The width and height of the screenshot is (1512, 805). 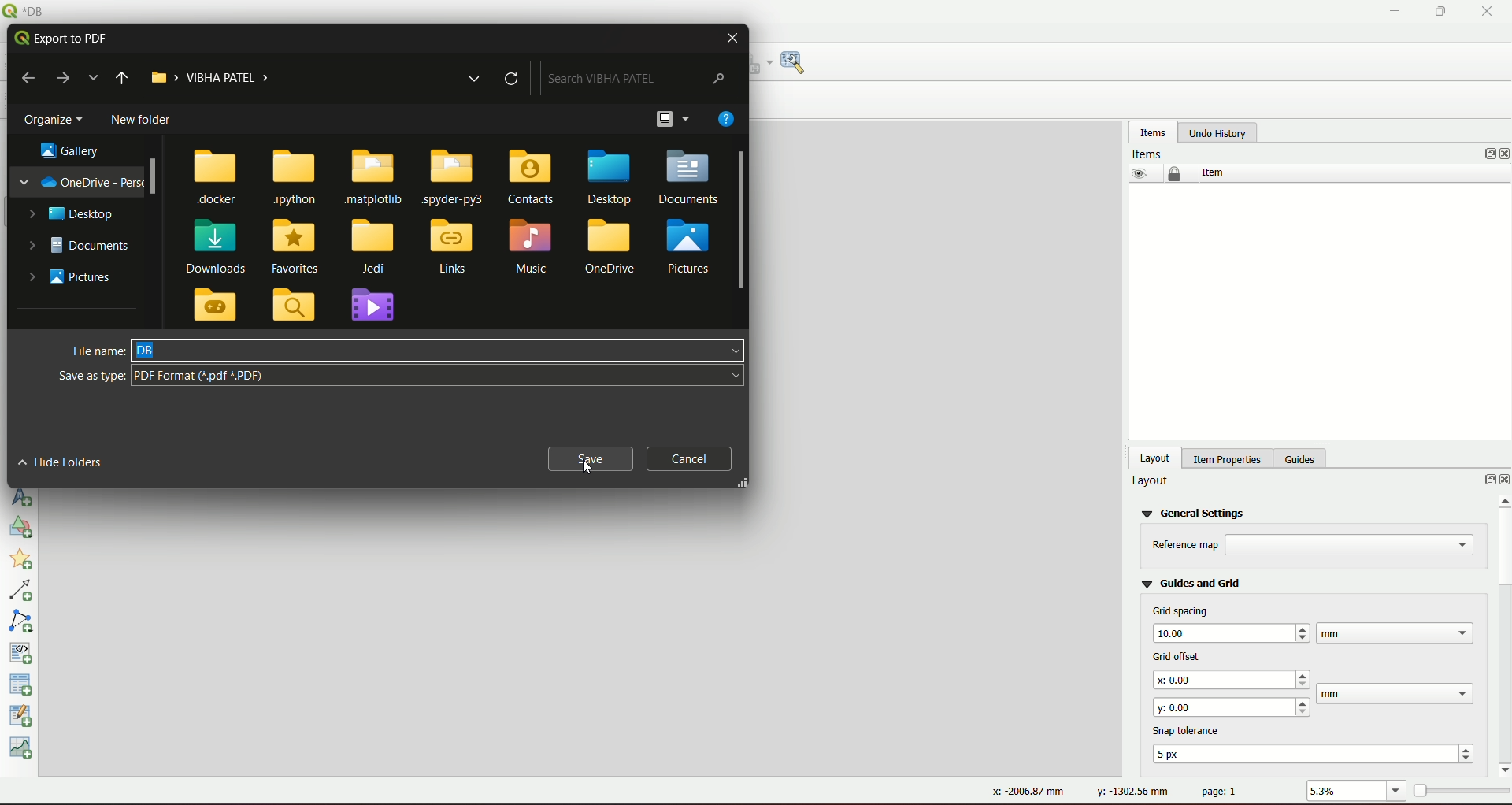 I want to click on one drive, so click(x=81, y=180).